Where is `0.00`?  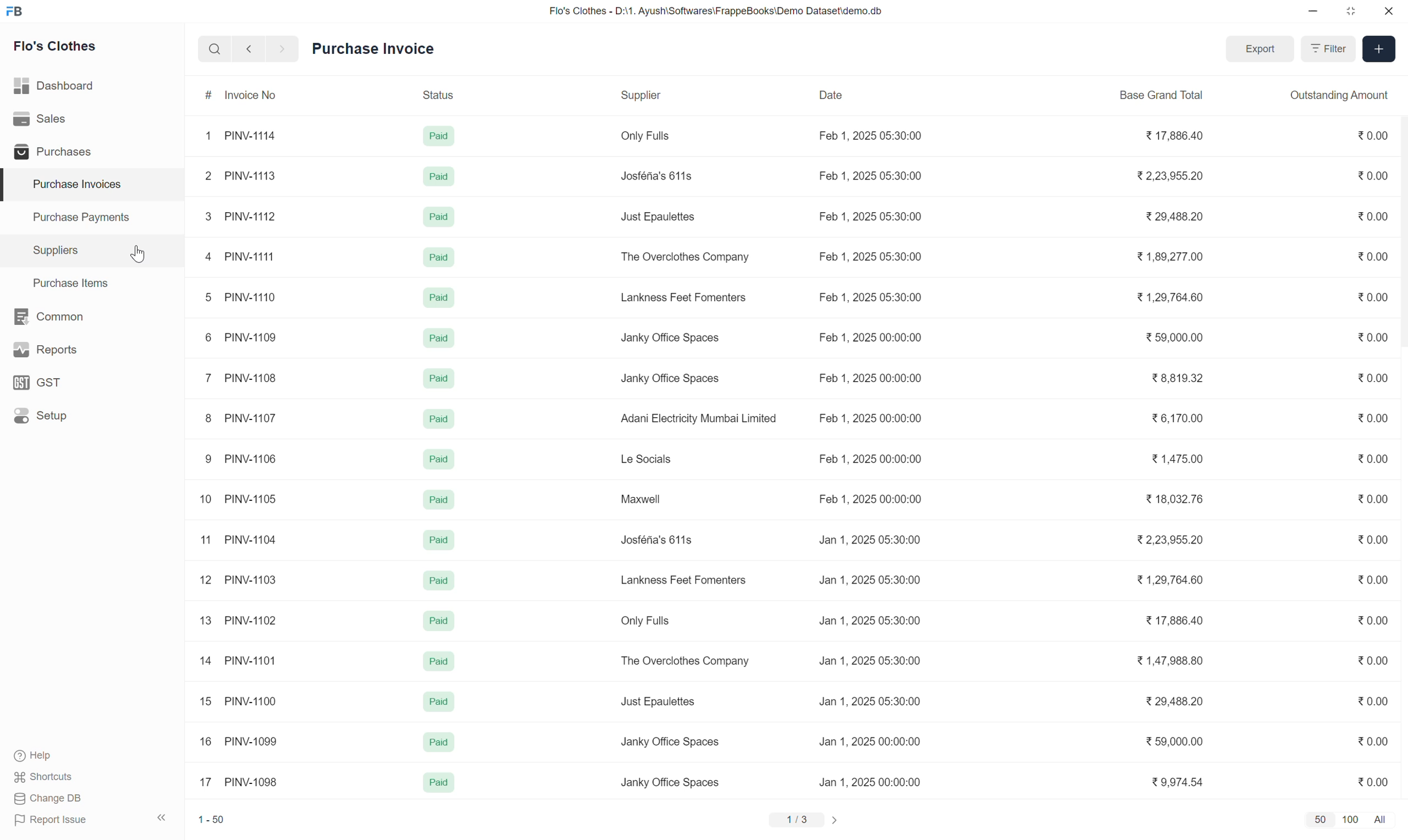
0.00 is located at coordinates (1372, 177).